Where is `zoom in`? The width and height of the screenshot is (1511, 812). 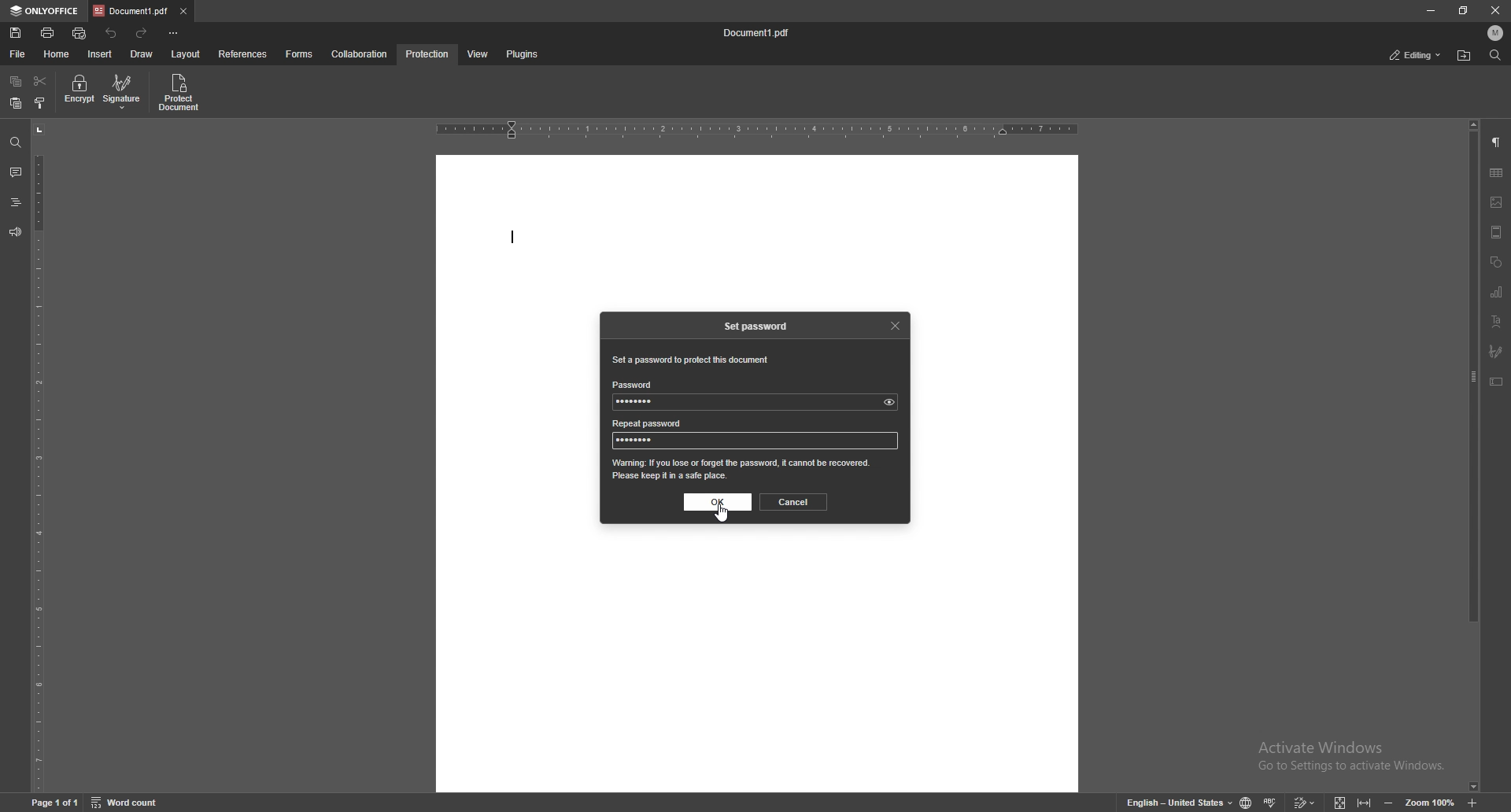 zoom in is located at coordinates (1474, 801).